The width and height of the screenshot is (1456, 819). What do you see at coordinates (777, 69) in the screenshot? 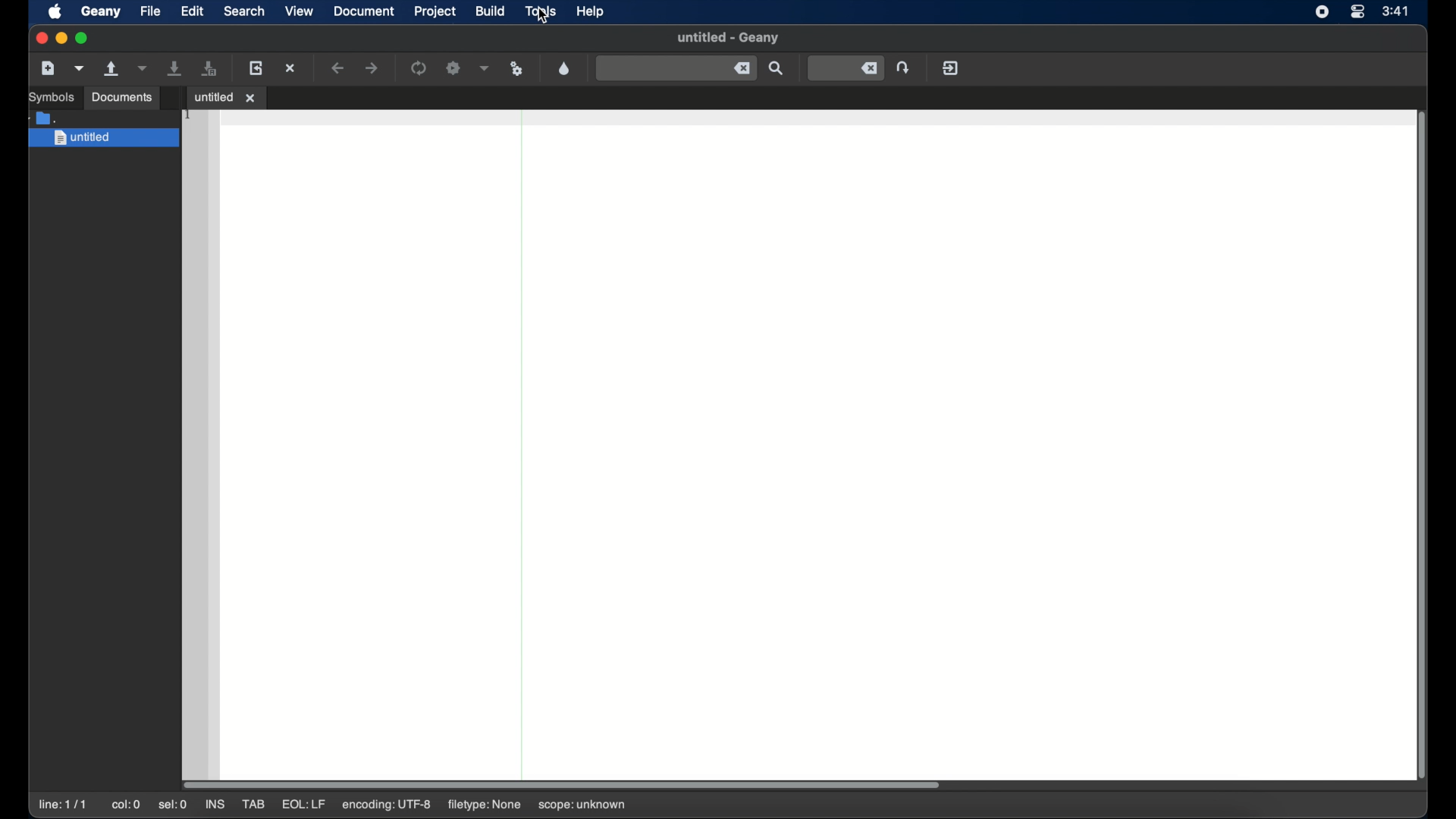
I see `find entered text in current file` at bounding box center [777, 69].